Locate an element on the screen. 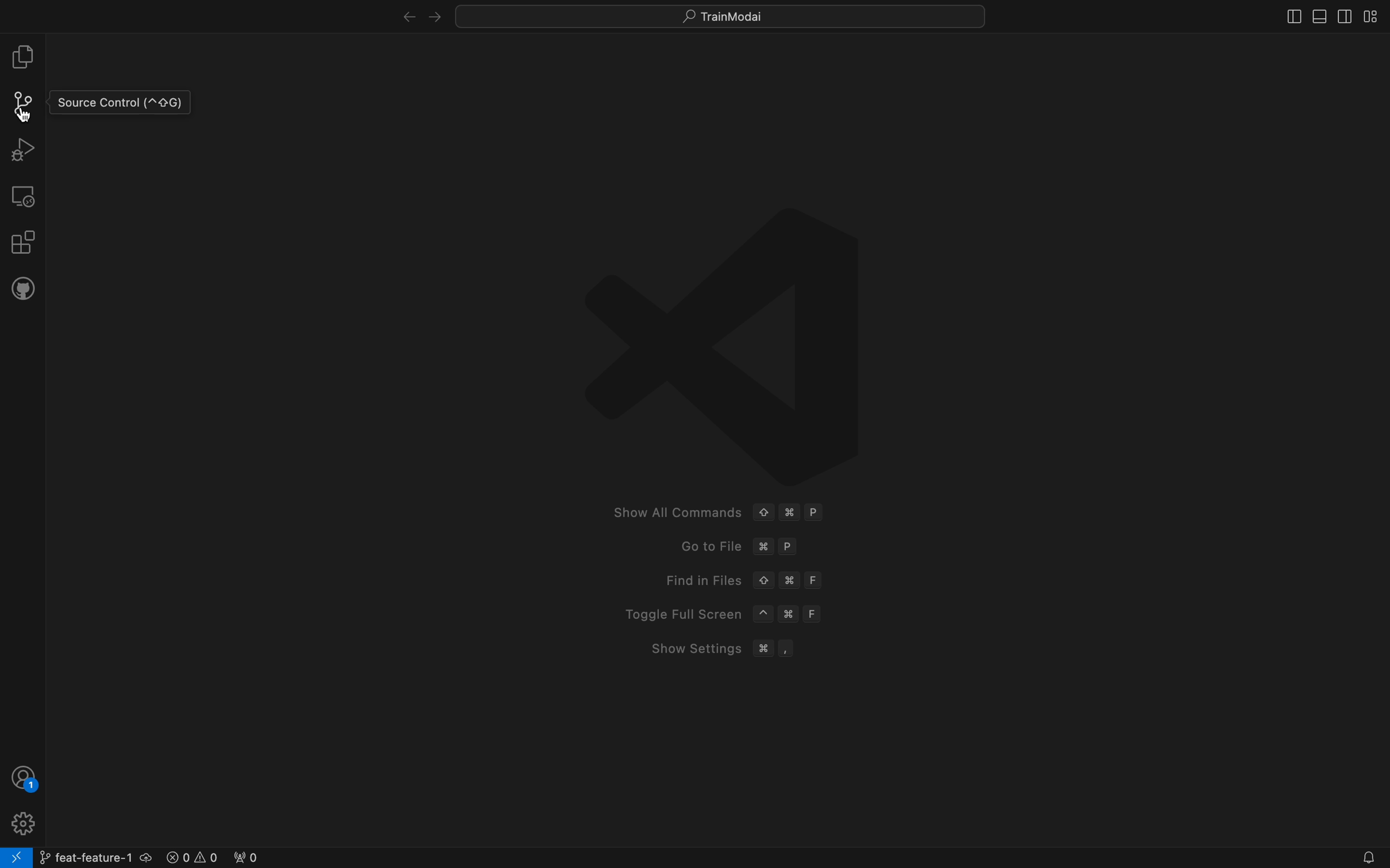 The image size is (1390, 868). error logs is located at coordinates (213, 855).